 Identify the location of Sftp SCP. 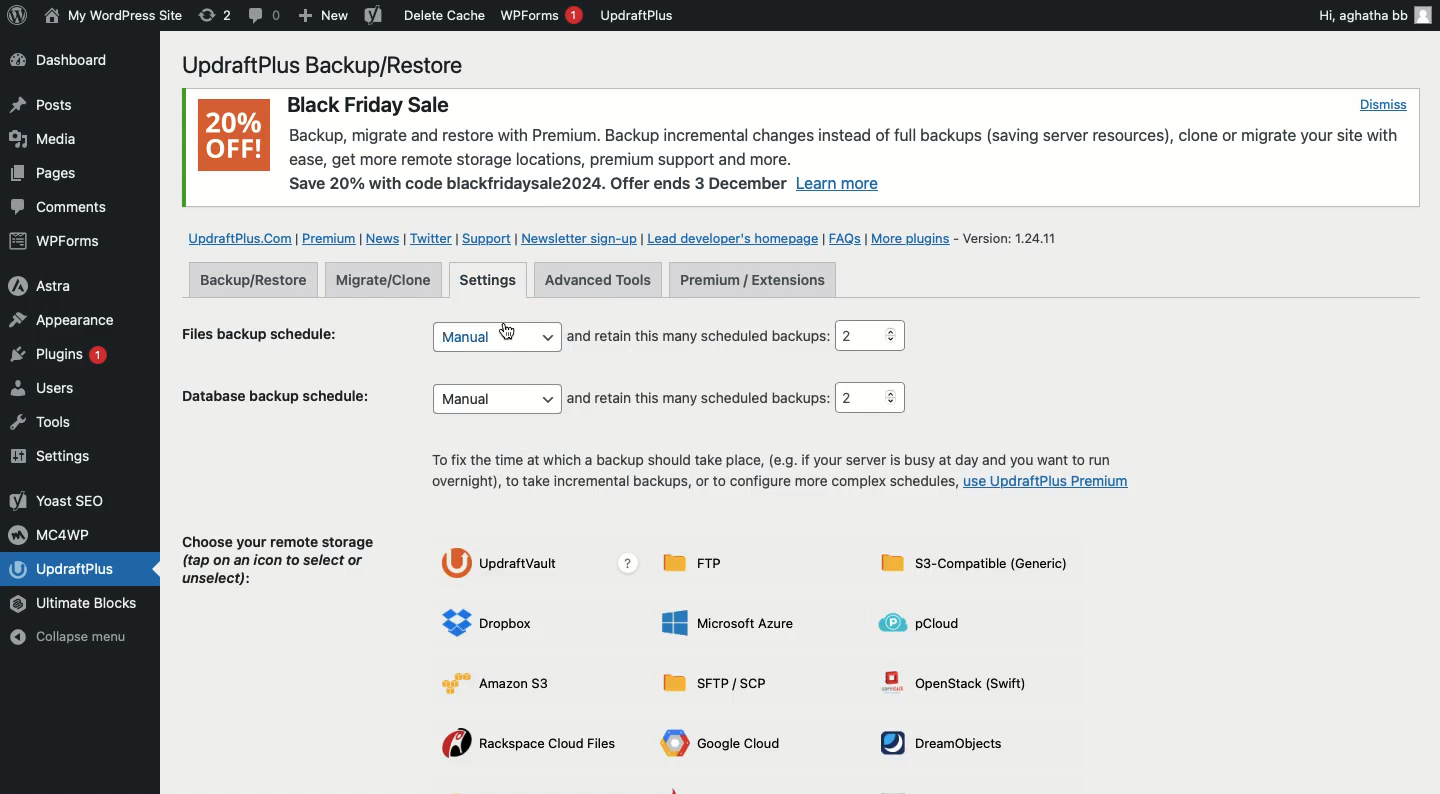
(722, 684).